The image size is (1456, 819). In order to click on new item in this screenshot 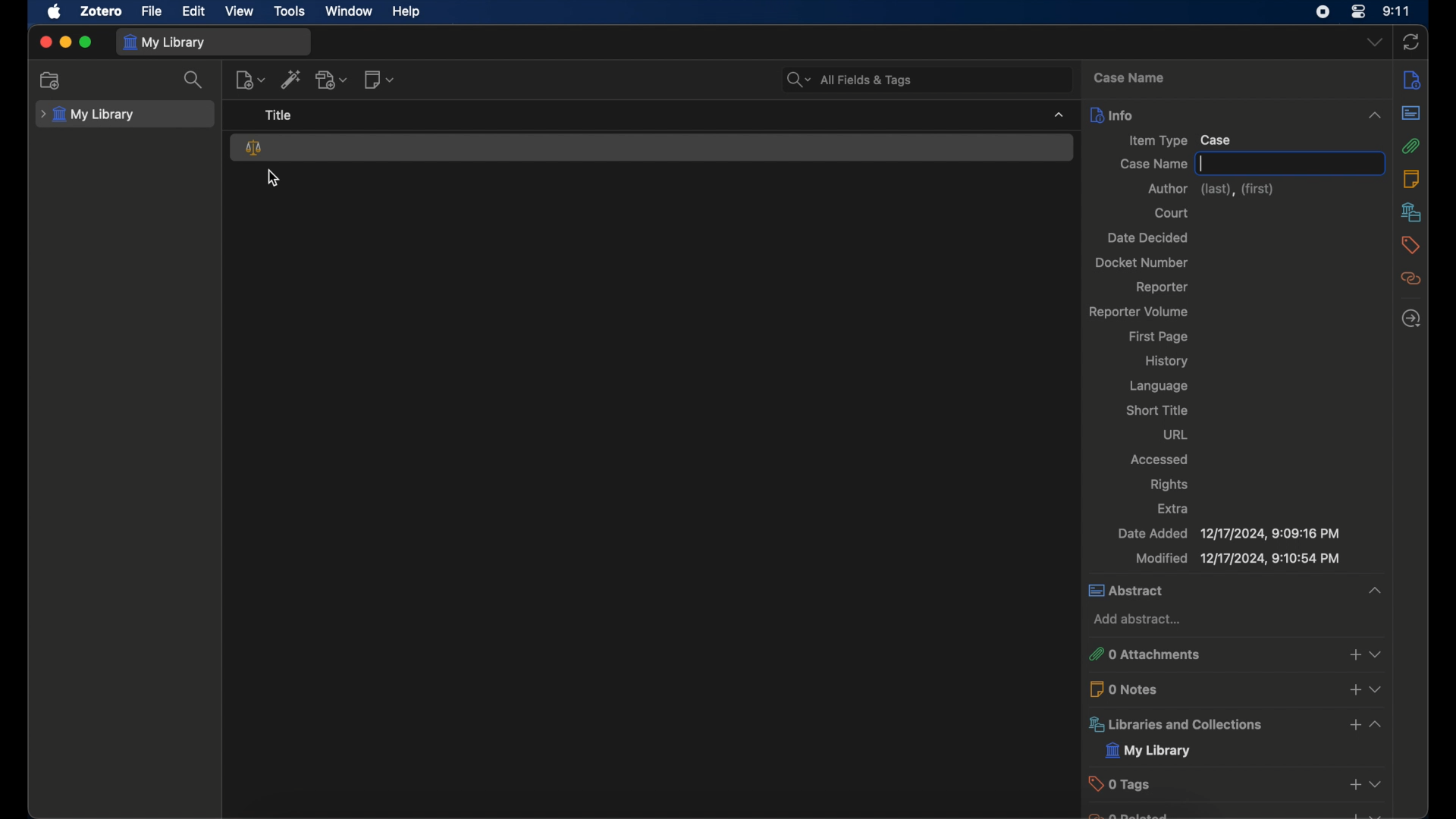, I will do `click(250, 80)`.